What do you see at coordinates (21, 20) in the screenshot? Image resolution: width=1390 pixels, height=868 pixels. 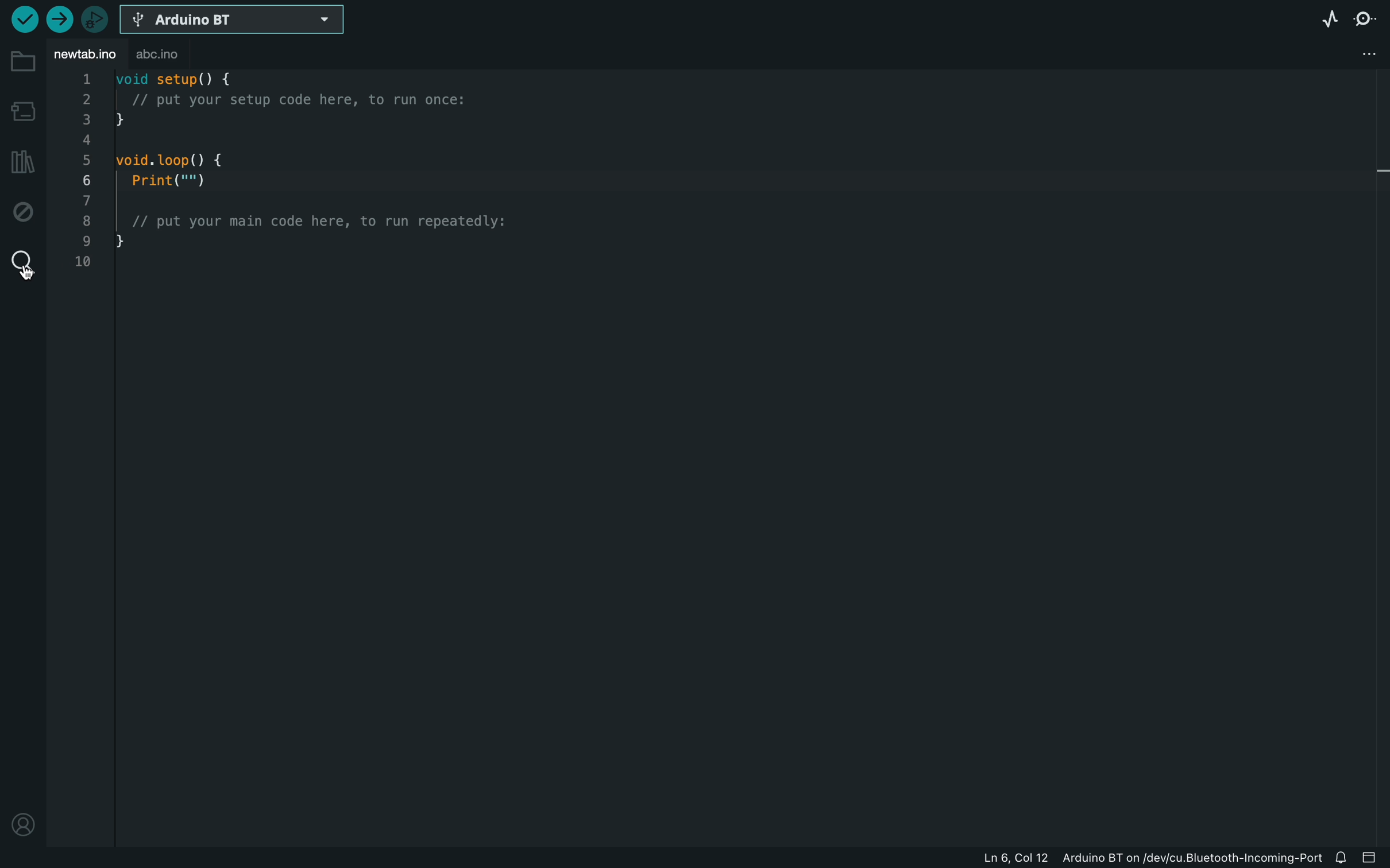 I see `verify` at bounding box center [21, 20].